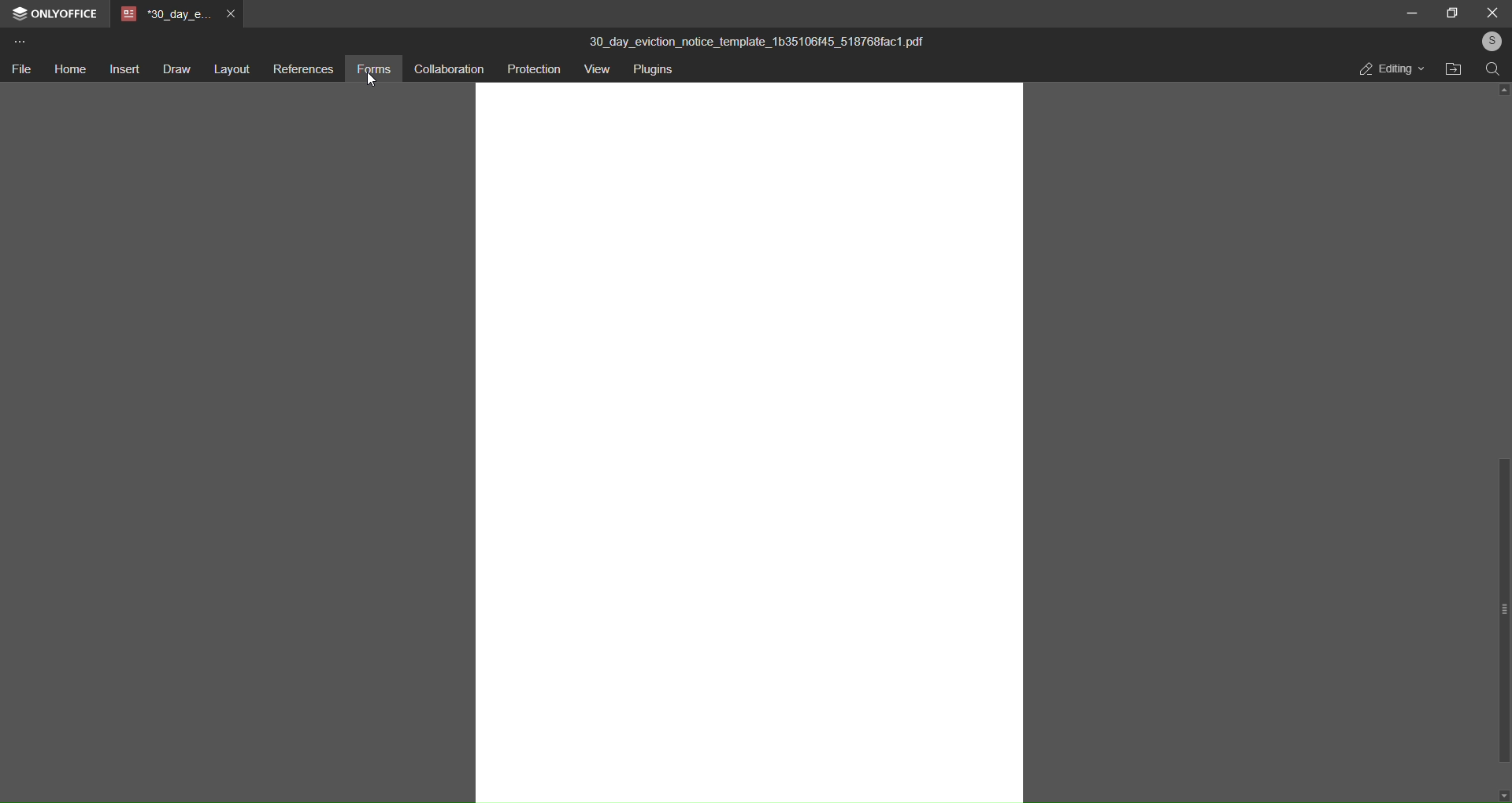 Image resolution: width=1512 pixels, height=803 pixels. I want to click on scroll bar, so click(1504, 609).